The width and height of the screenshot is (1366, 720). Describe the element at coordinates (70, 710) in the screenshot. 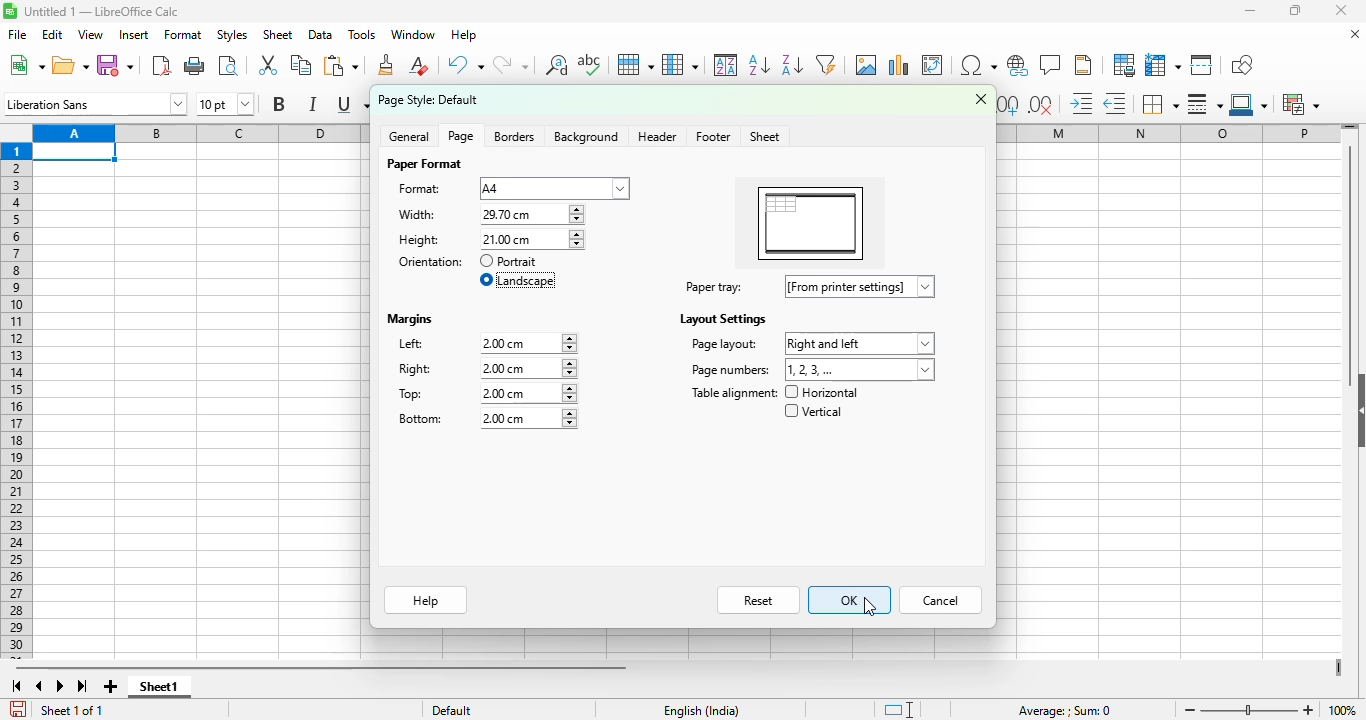

I see `sheet 1 of 1` at that location.